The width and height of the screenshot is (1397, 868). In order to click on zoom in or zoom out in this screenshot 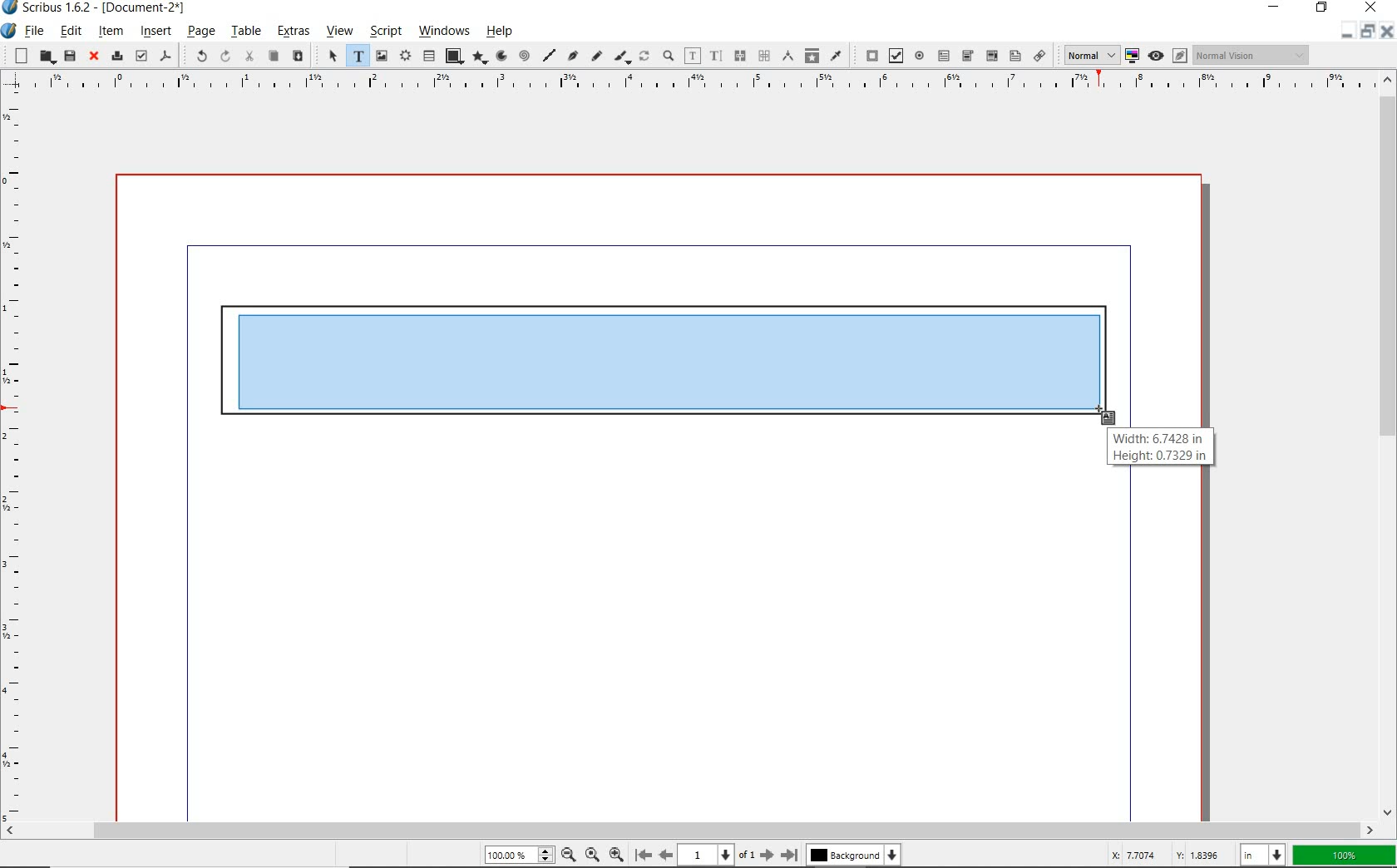, I will do `click(668, 56)`.